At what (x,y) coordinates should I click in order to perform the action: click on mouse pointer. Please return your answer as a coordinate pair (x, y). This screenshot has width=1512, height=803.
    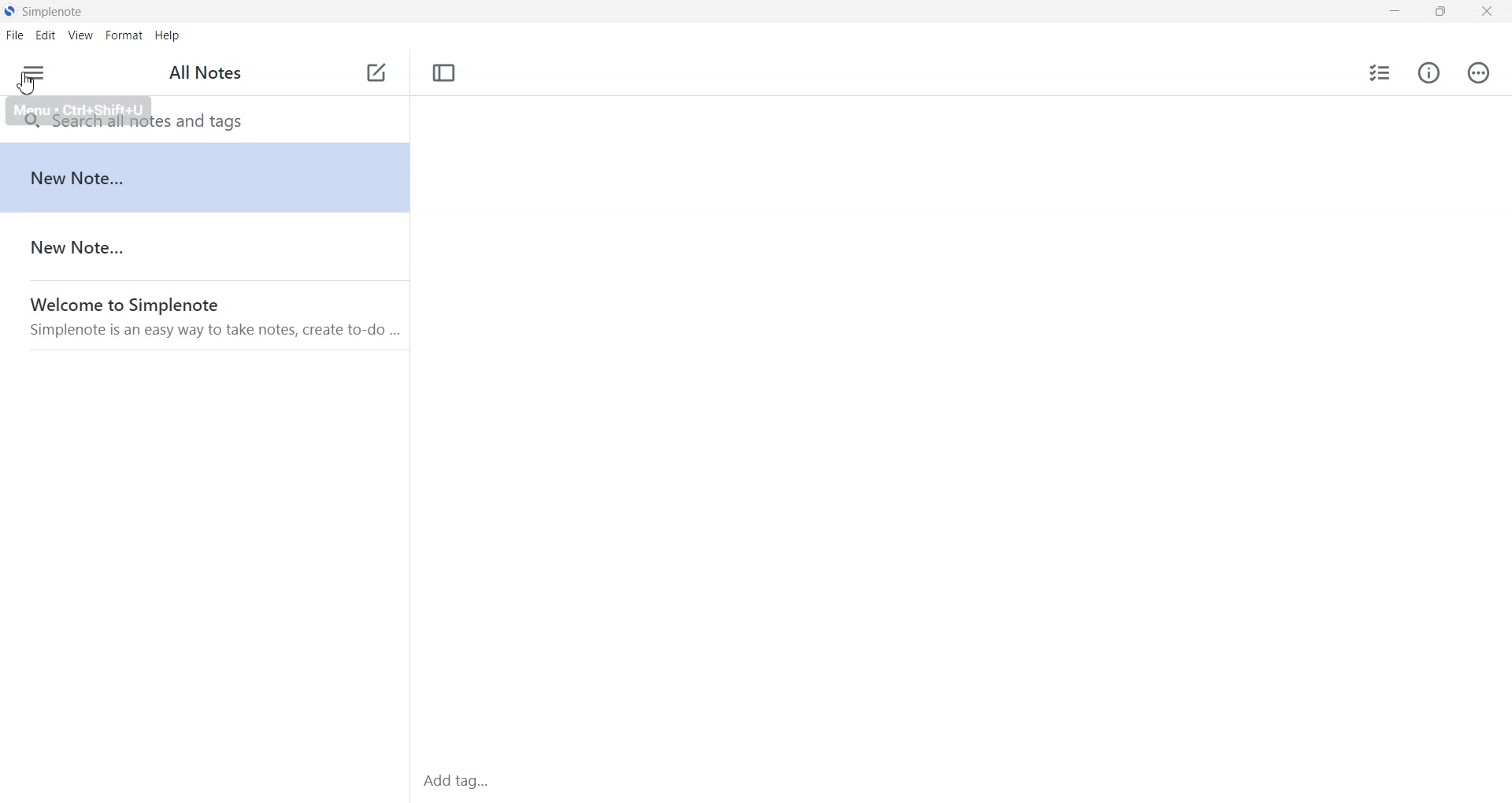
    Looking at the image, I should click on (25, 87).